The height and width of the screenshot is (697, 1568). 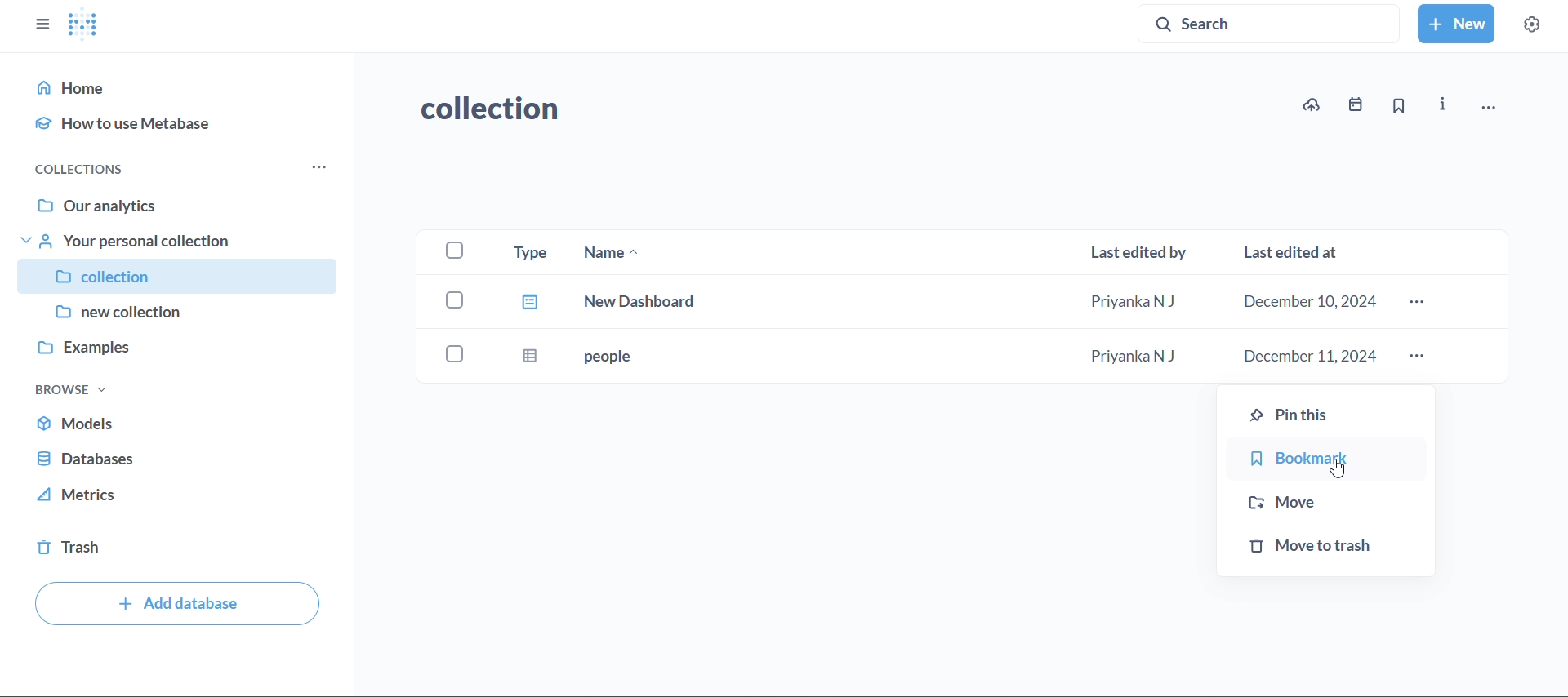 I want to click on new, so click(x=1456, y=24).